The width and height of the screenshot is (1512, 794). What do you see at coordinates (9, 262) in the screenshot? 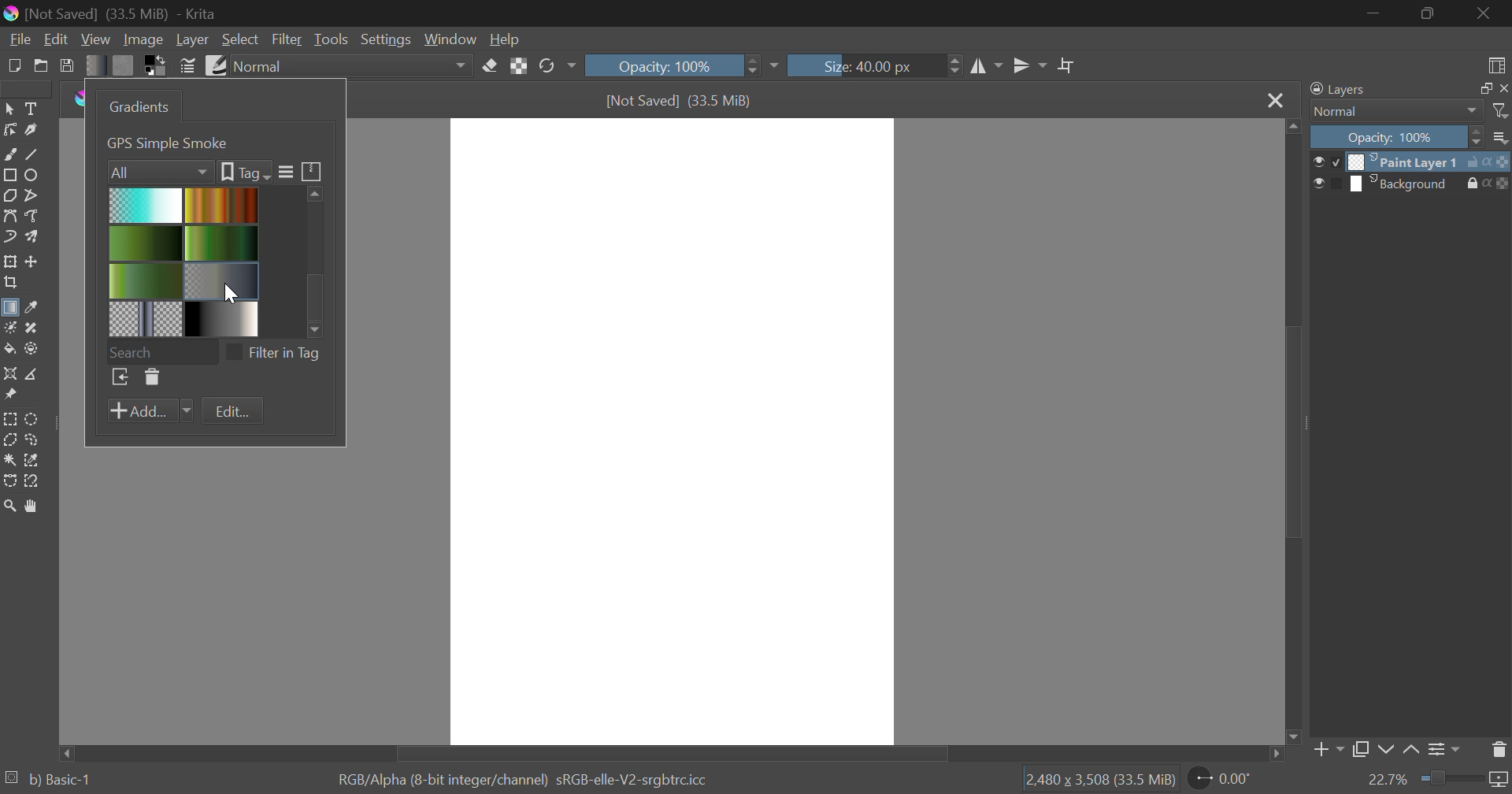
I see `Transform Layer` at bounding box center [9, 262].